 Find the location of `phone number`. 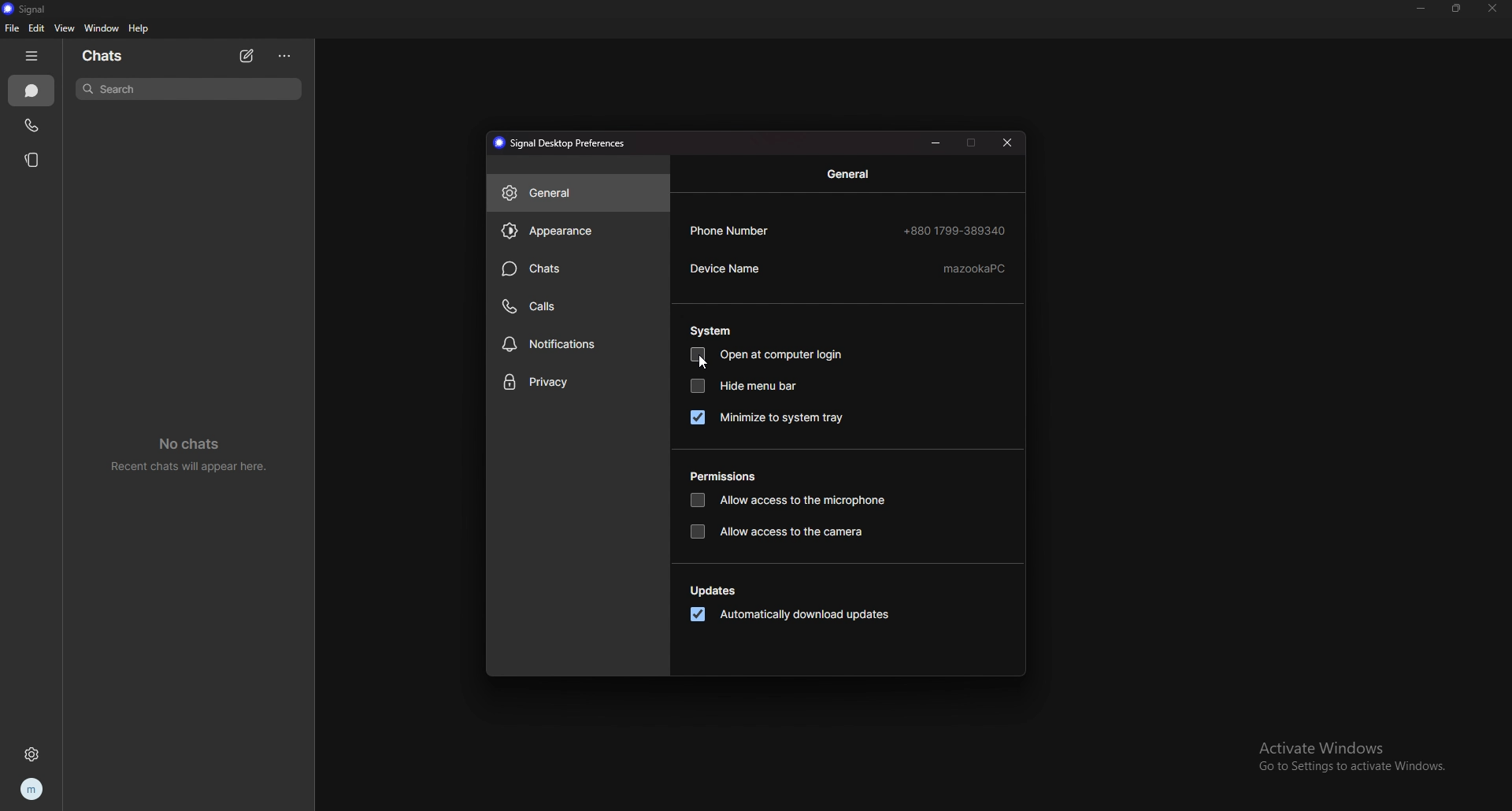

phone number is located at coordinates (849, 230).